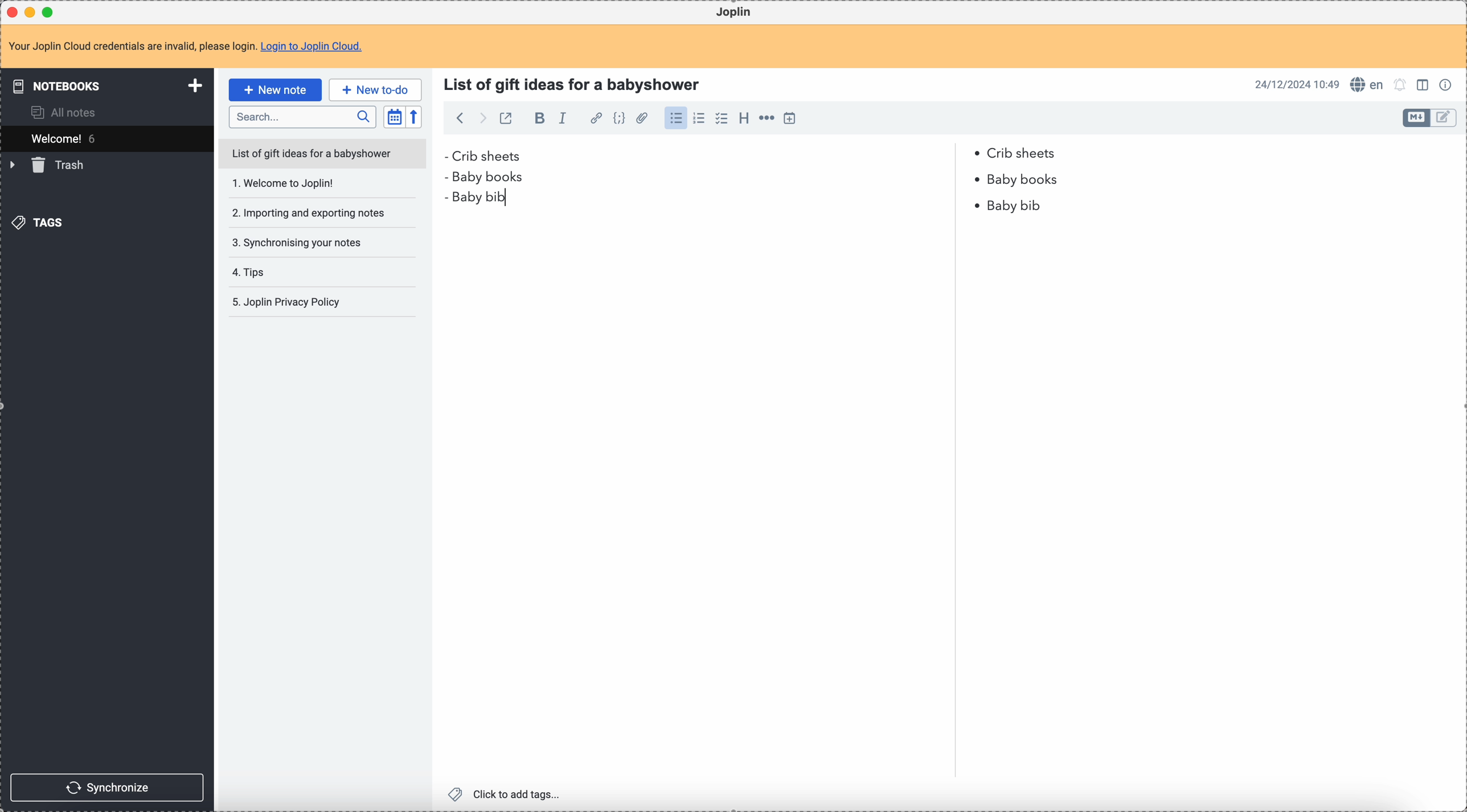 This screenshot has width=1467, height=812. I want to click on baby bib, so click(744, 203).